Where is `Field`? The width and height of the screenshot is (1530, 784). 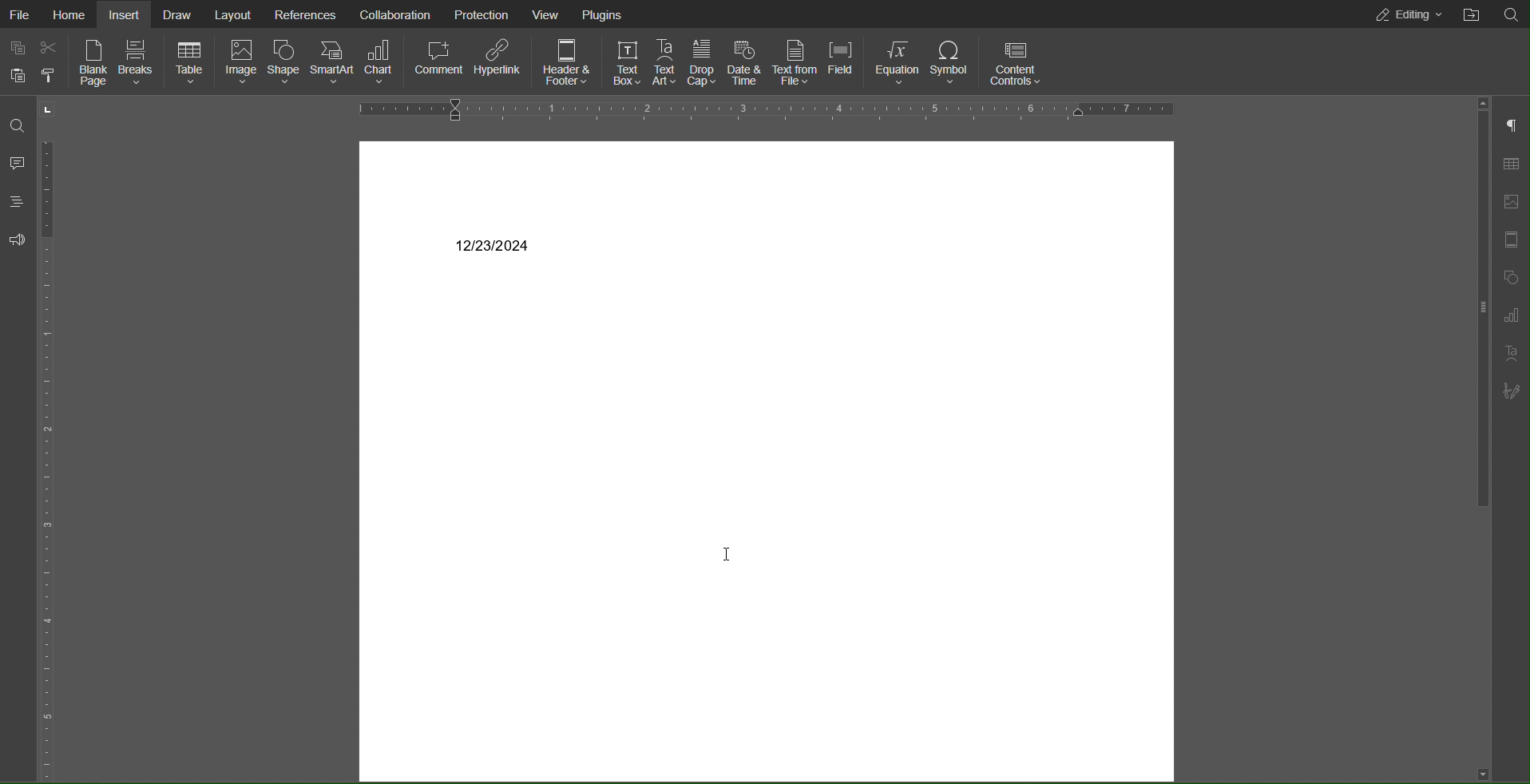
Field is located at coordinates (840, 61).